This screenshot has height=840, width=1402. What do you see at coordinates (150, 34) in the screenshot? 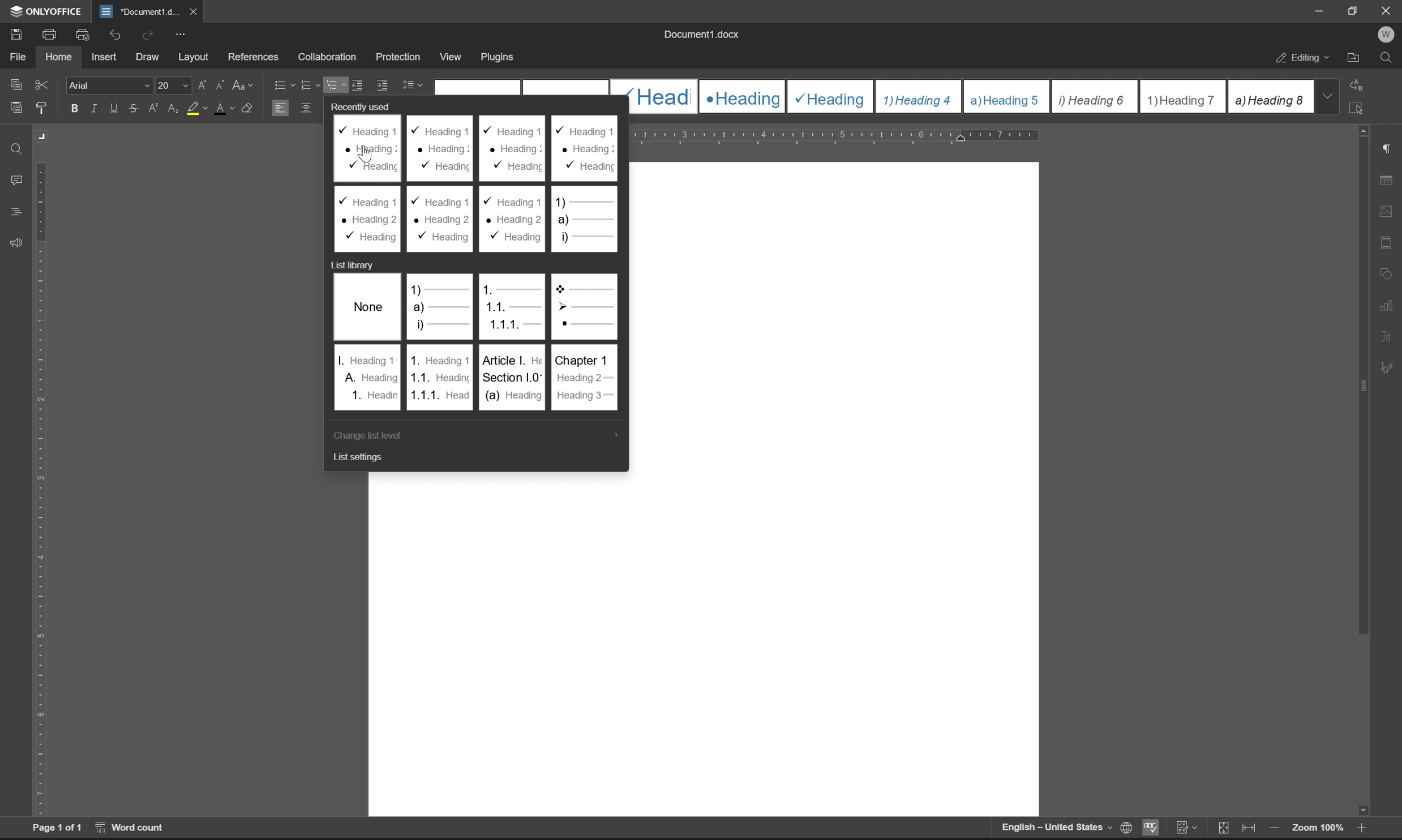
I see `redo` at bounding box center [150, 34].